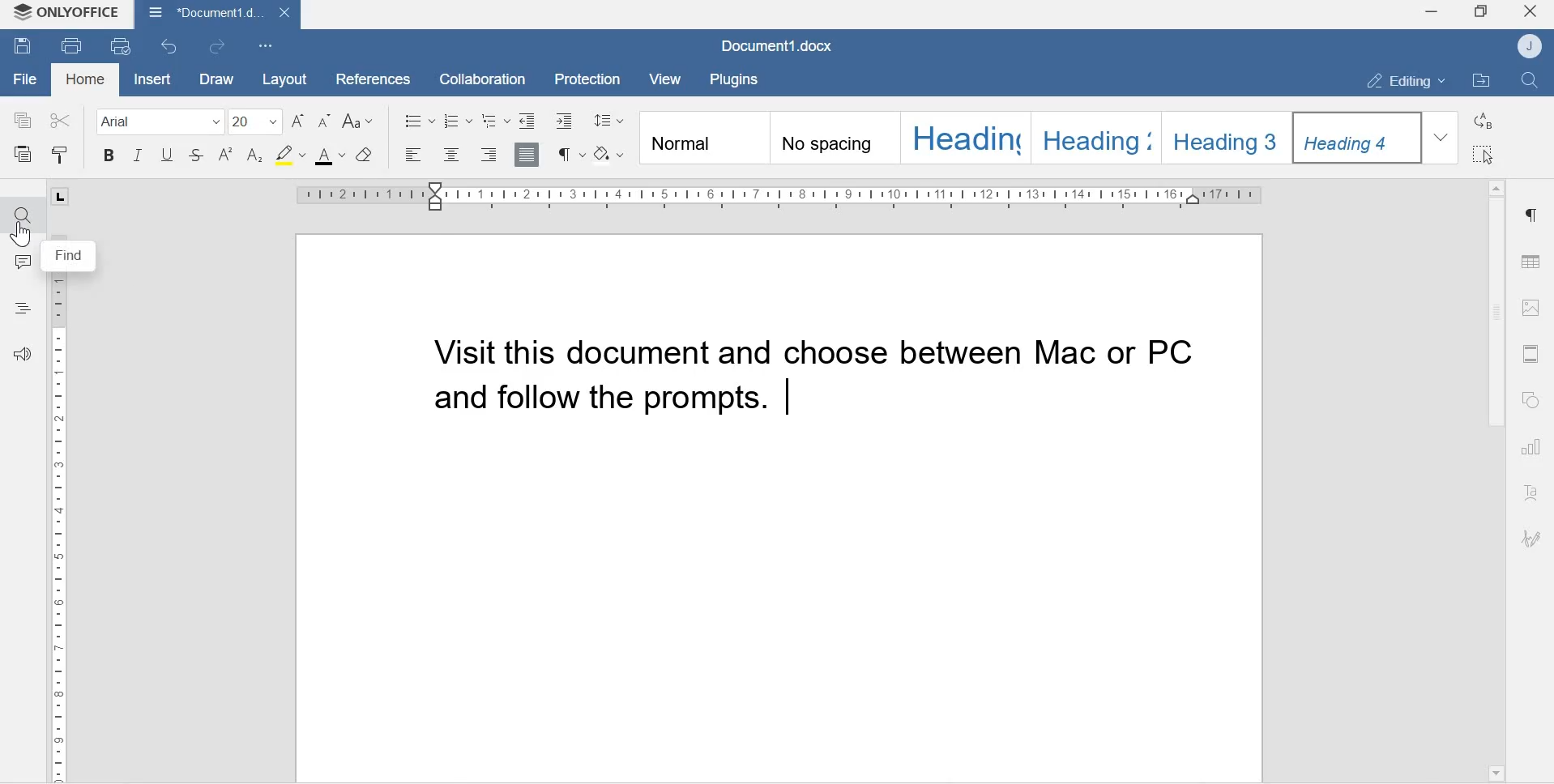 The image size is (1554, 784). What do you see at coordinates (1531, 258) in the screenshot?
I see `Table` at bounding box center [1531, 258].